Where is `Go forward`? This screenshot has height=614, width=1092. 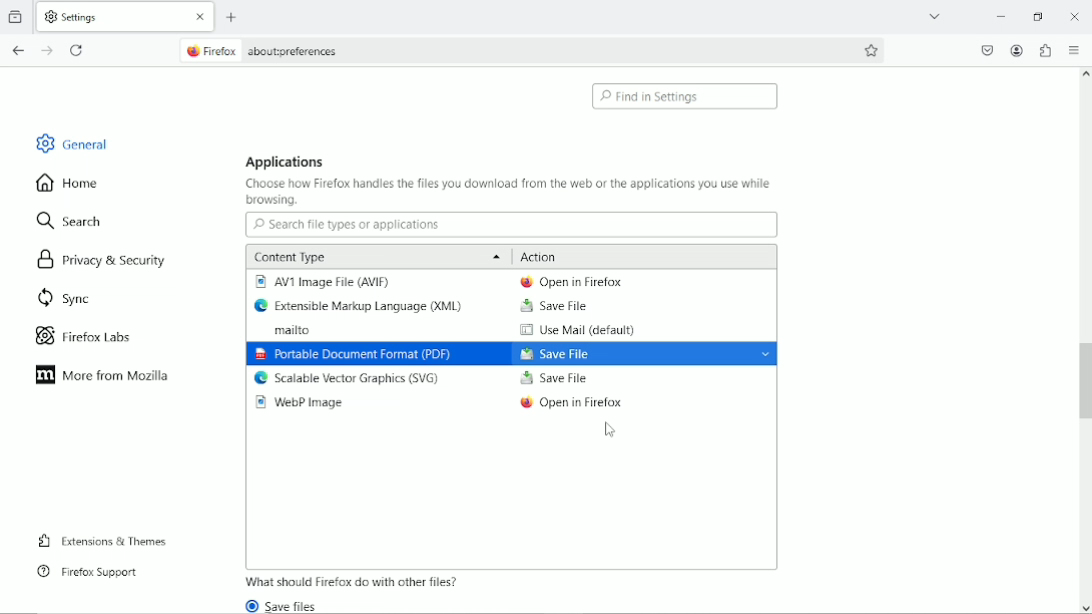
Go forward is located at coordinates (49, 51).